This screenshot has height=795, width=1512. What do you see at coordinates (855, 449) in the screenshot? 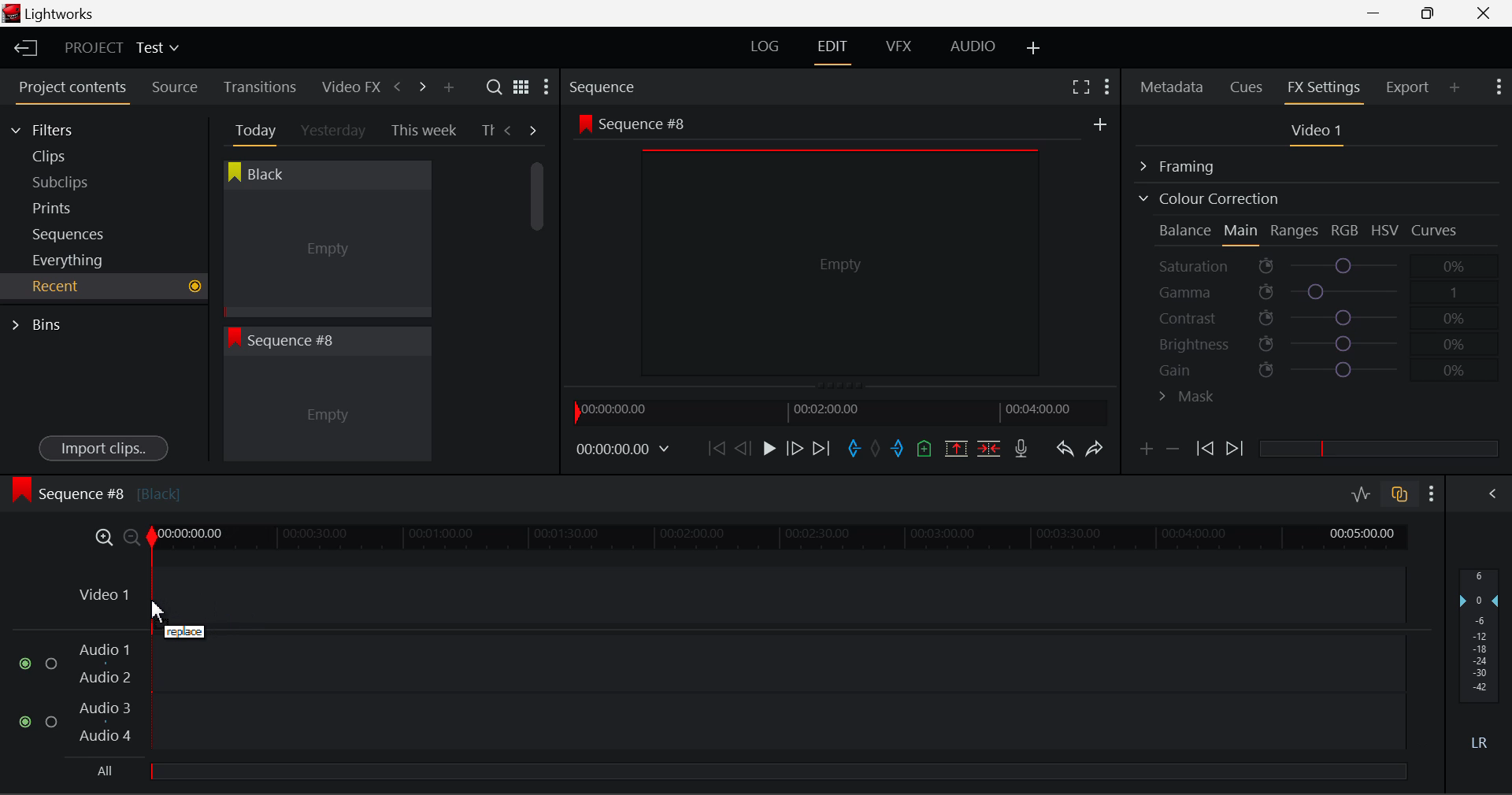
I see `Mark In` at bounding box center [855, 449].